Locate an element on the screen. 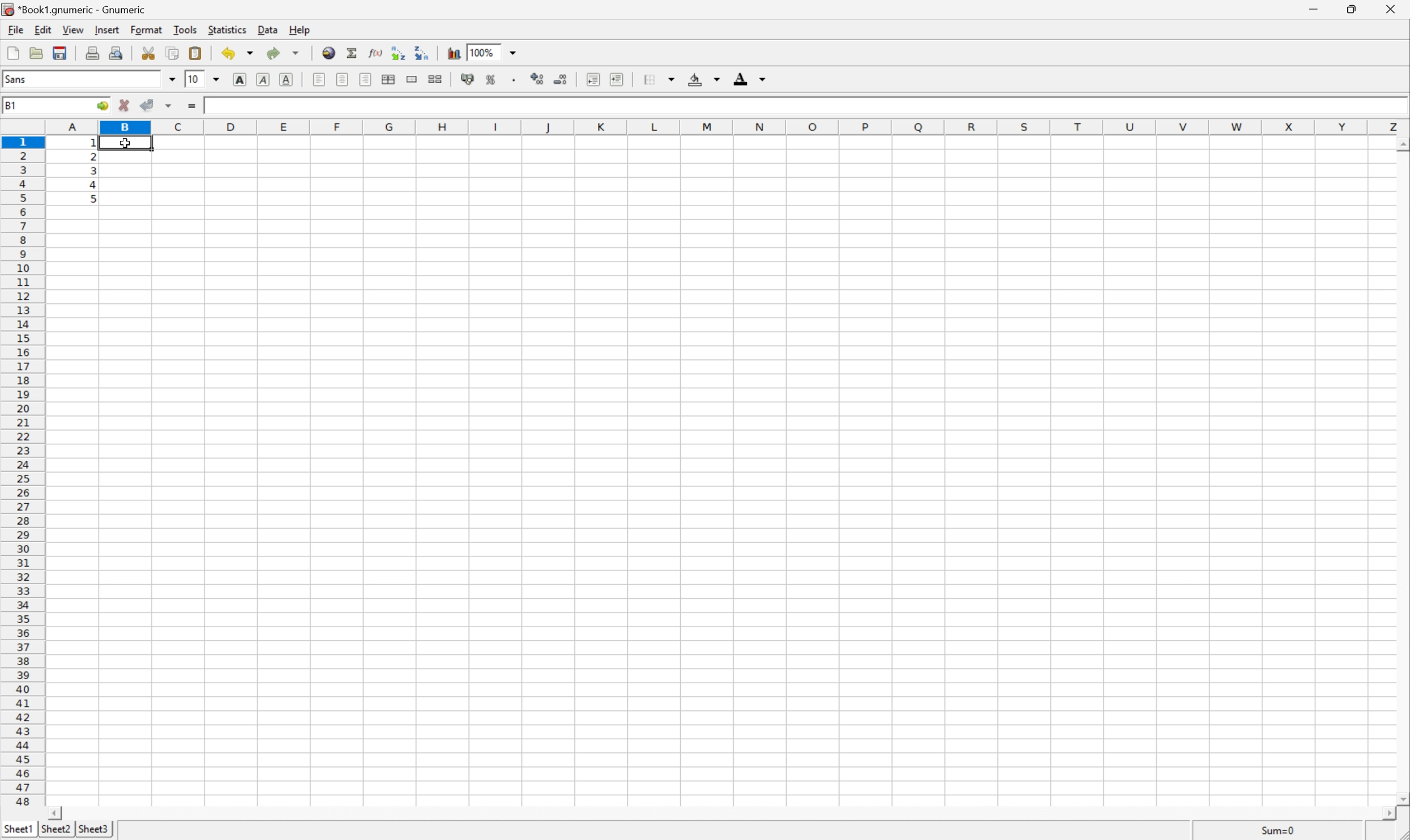  Format selection as percentage is located at coordinates (490, 80).